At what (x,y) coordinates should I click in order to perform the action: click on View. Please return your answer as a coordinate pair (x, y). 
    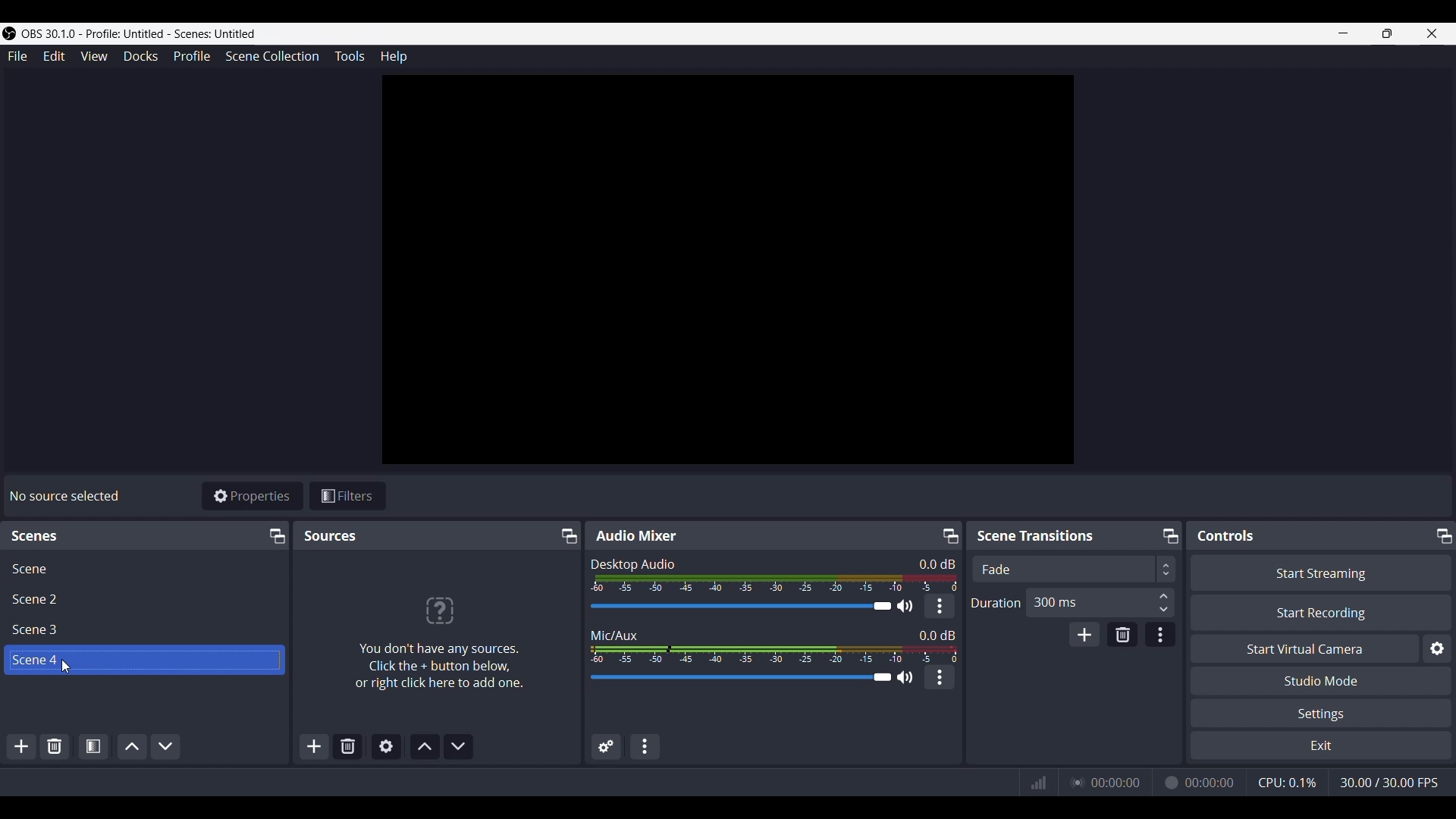
    Looking at the image, I should click on (93, 56).